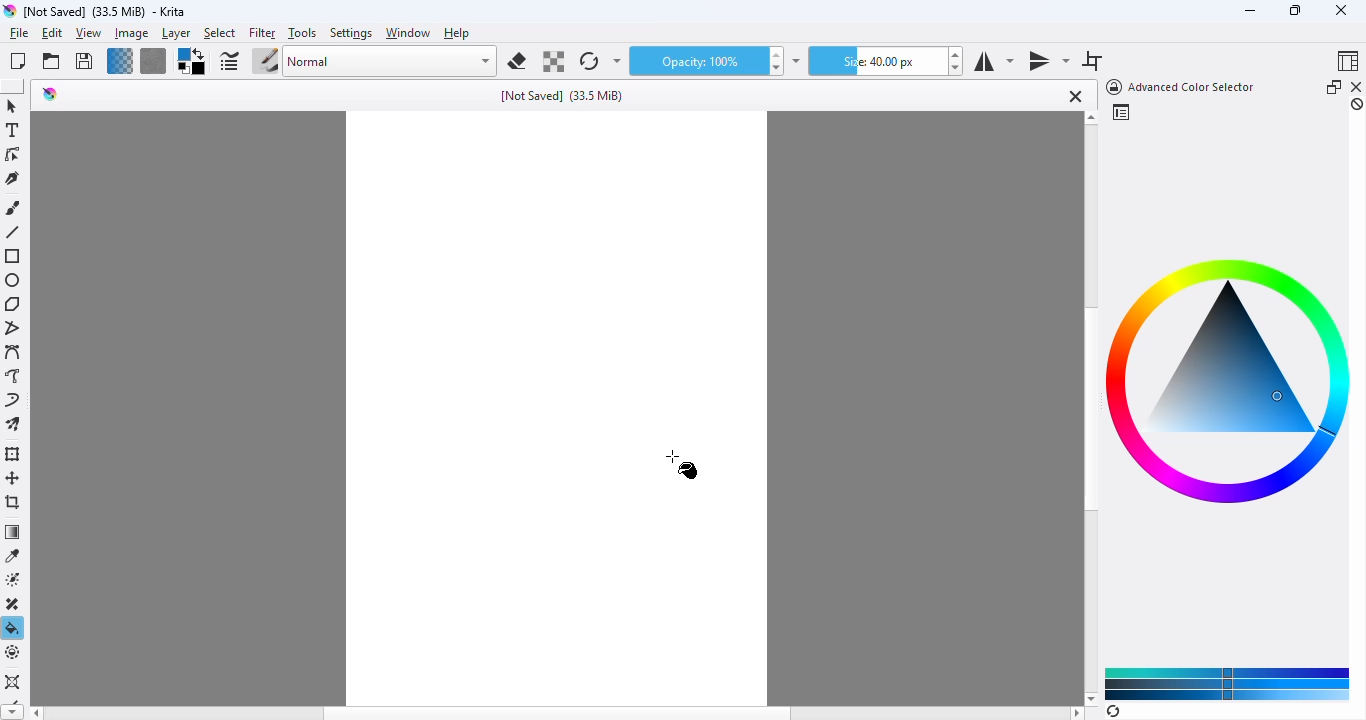 This screenshot has height=720, width=1366. What do you see at coordinates (13, 178) in the screenshot?
I see `calligraphy` at bounding box center [13, 178].